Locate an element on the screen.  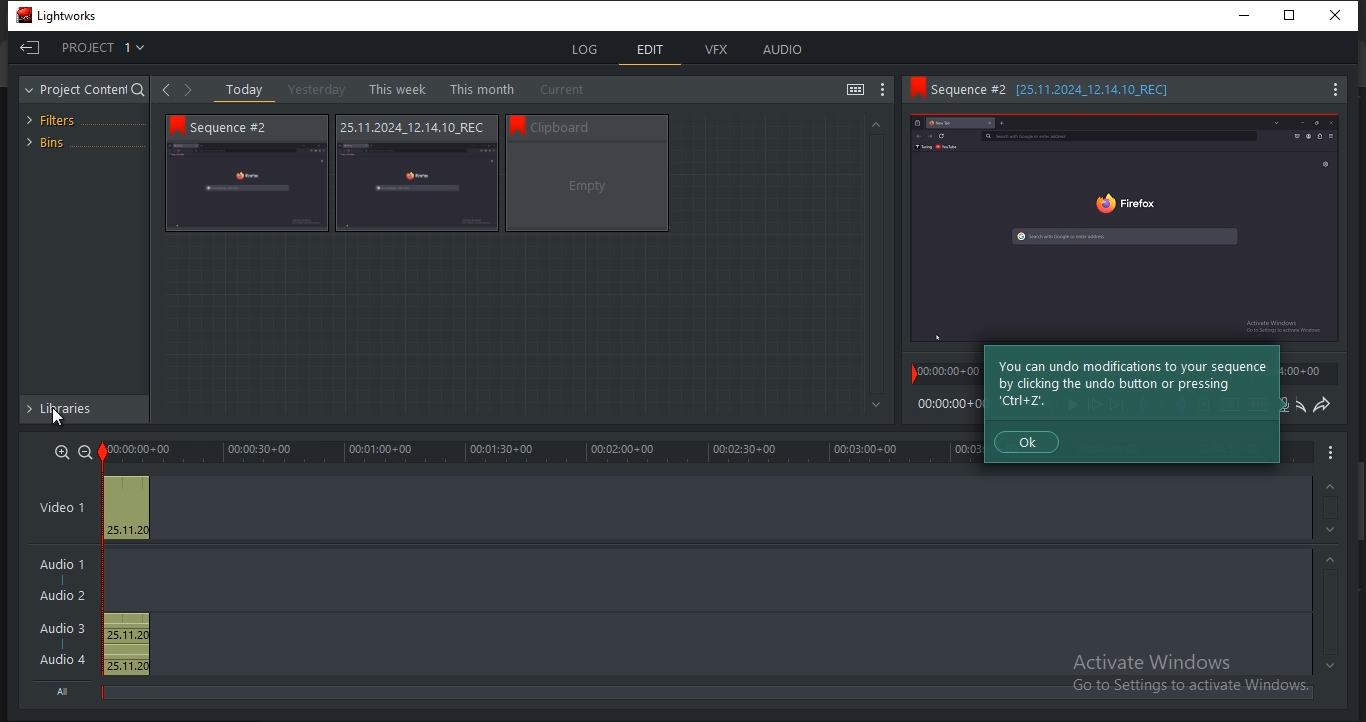
this week is located at coordinates (396, 88).